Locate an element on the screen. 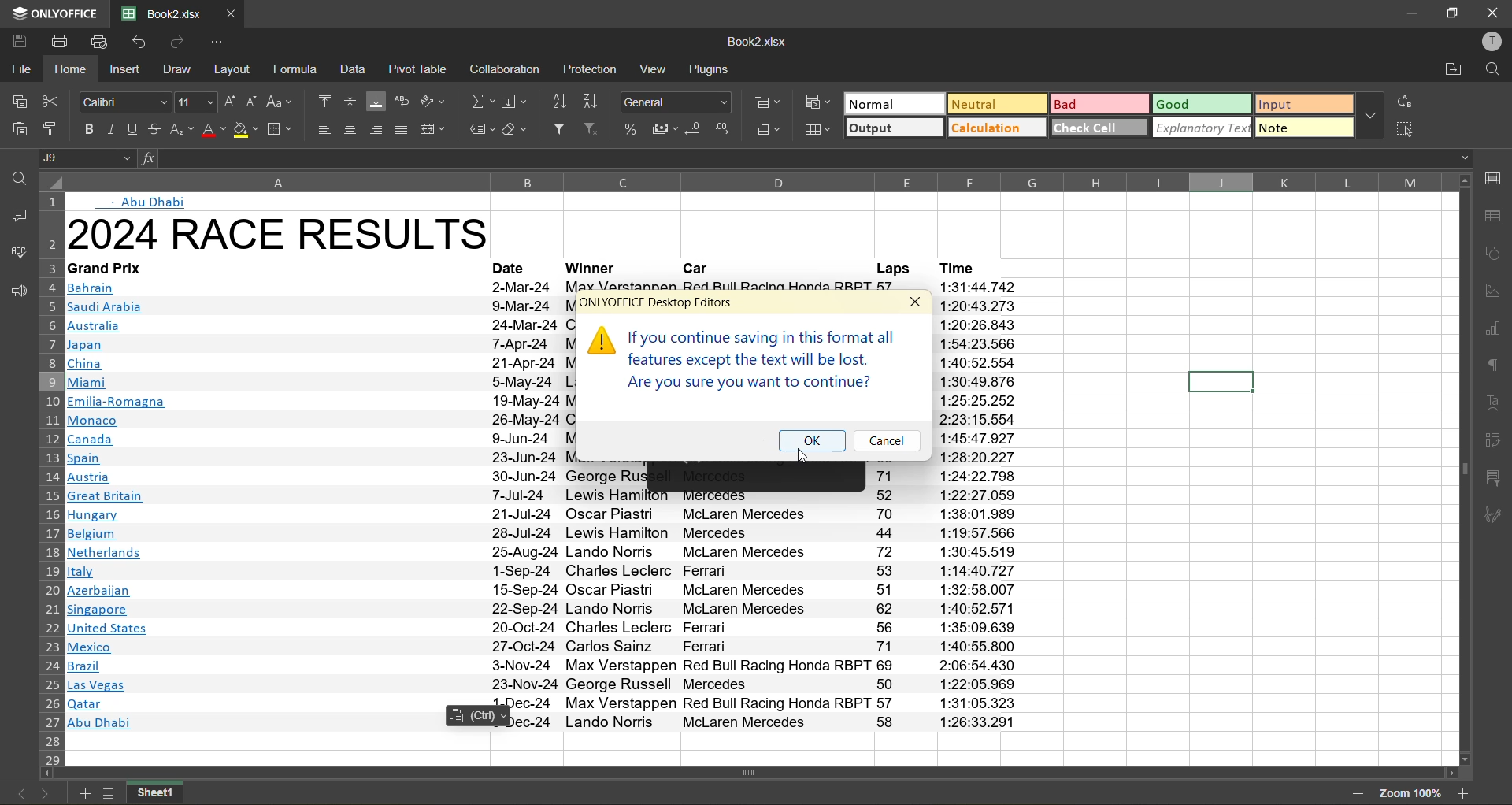  neutral is located at coordinates (999, 104).